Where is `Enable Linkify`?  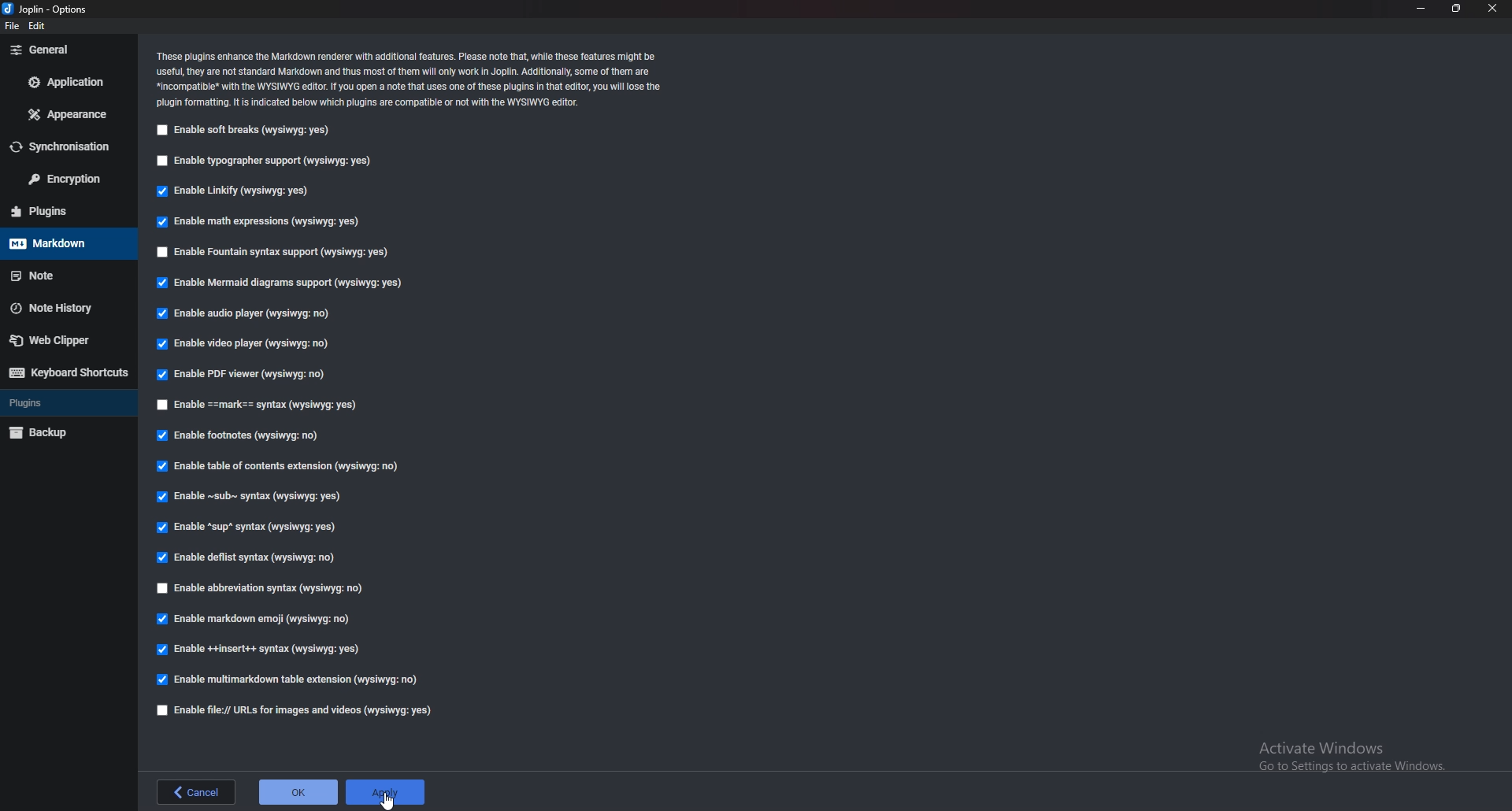 Enable Linkify is located at coordinates (235, 191).